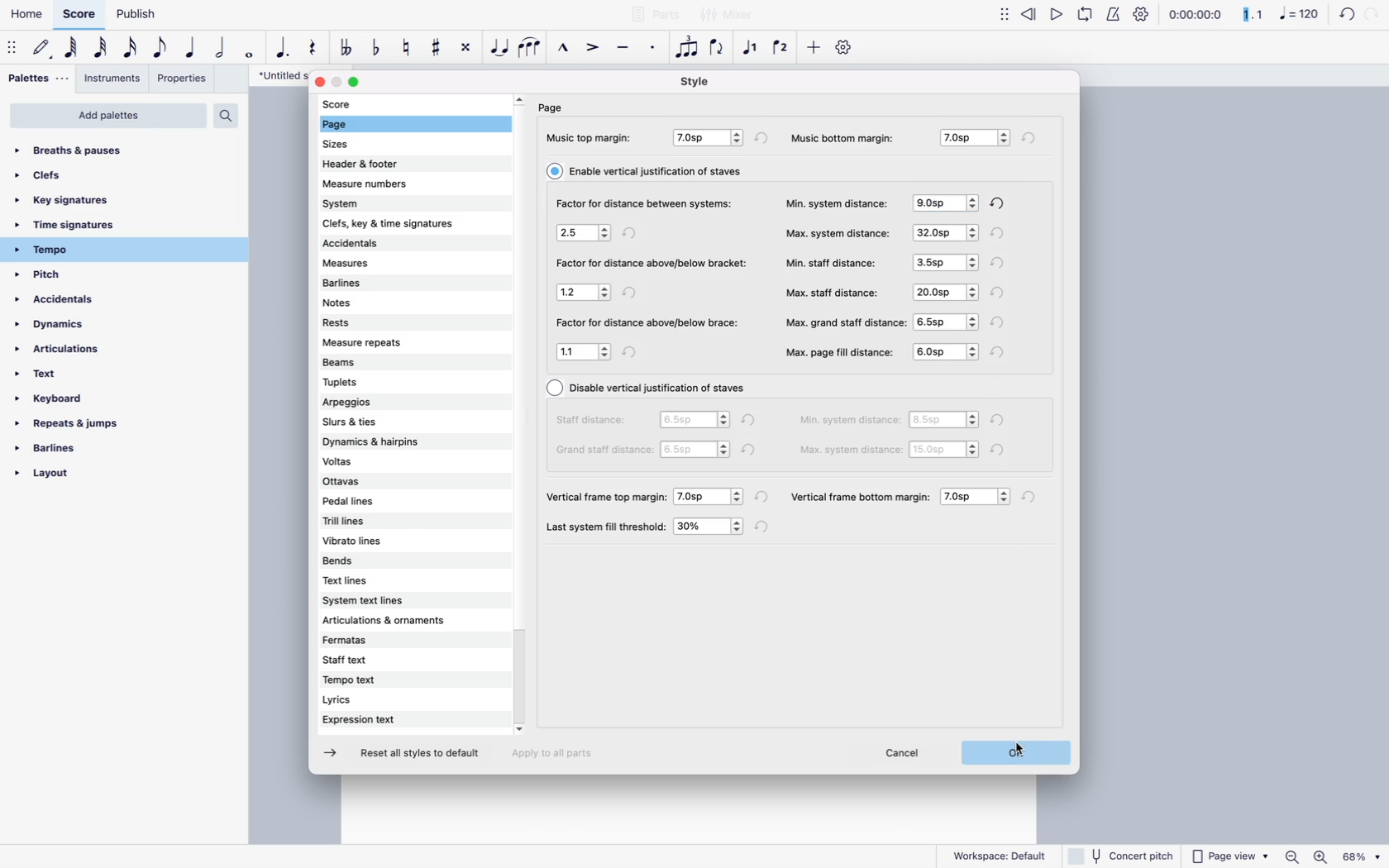 The height and width of the screenshot is (868, 1389). I want to click on Tuning time, so click(1239, 16).